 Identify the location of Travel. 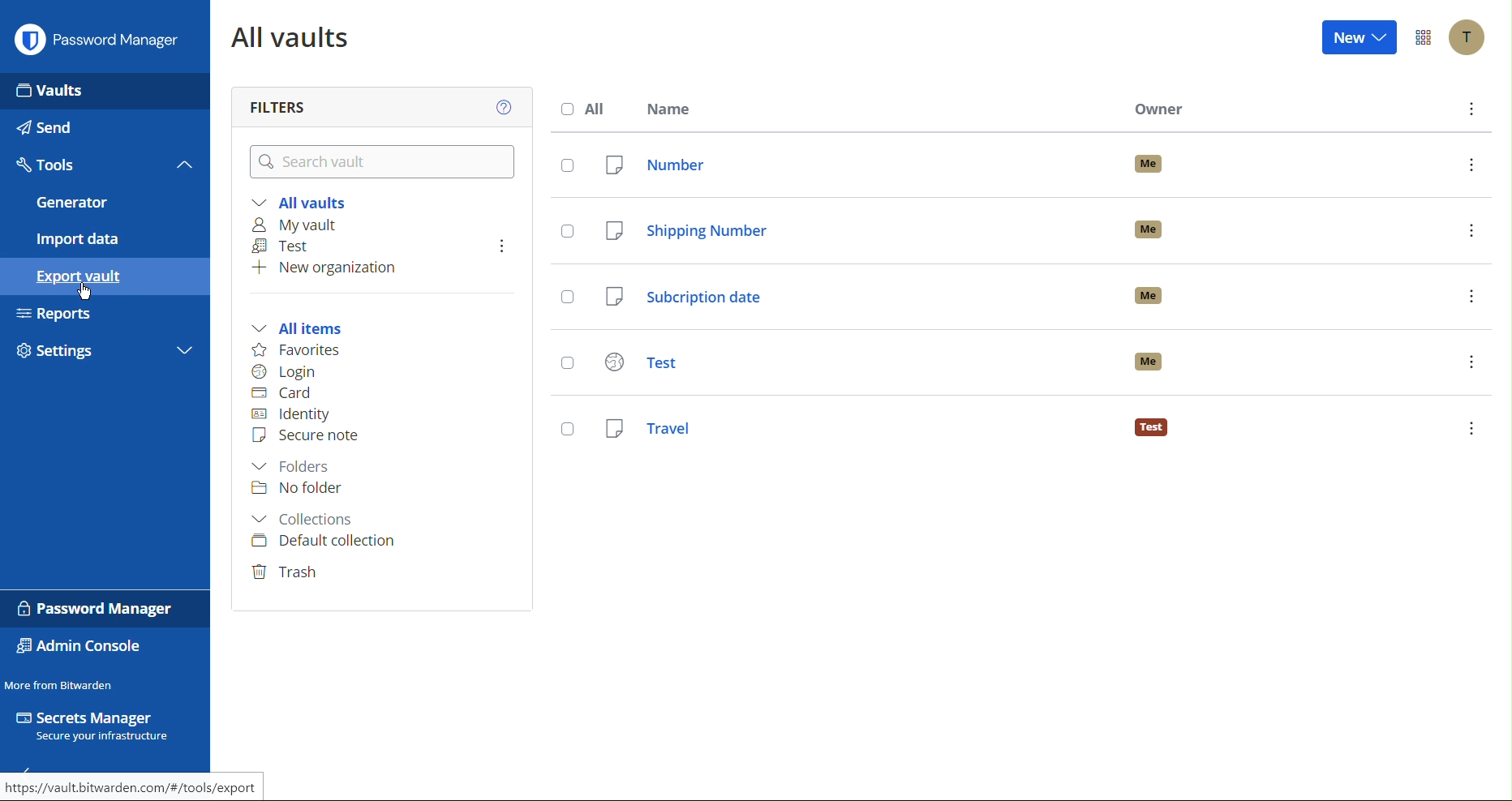
(857, 426).